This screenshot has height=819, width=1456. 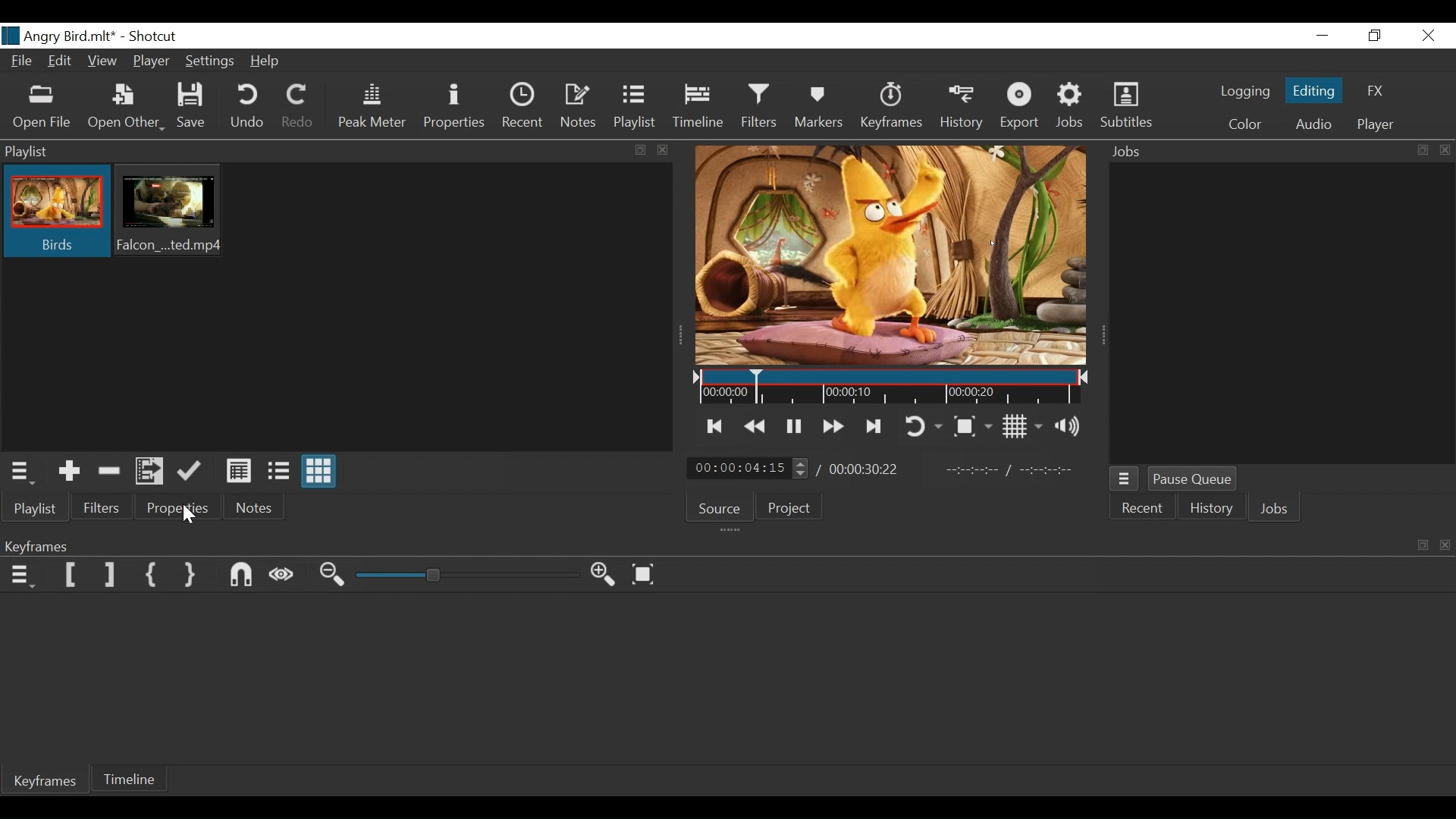 What do you see at coordinates (369, 108) in the screenshot?
I see `Peak Meter` at bounding box center [369, 108].